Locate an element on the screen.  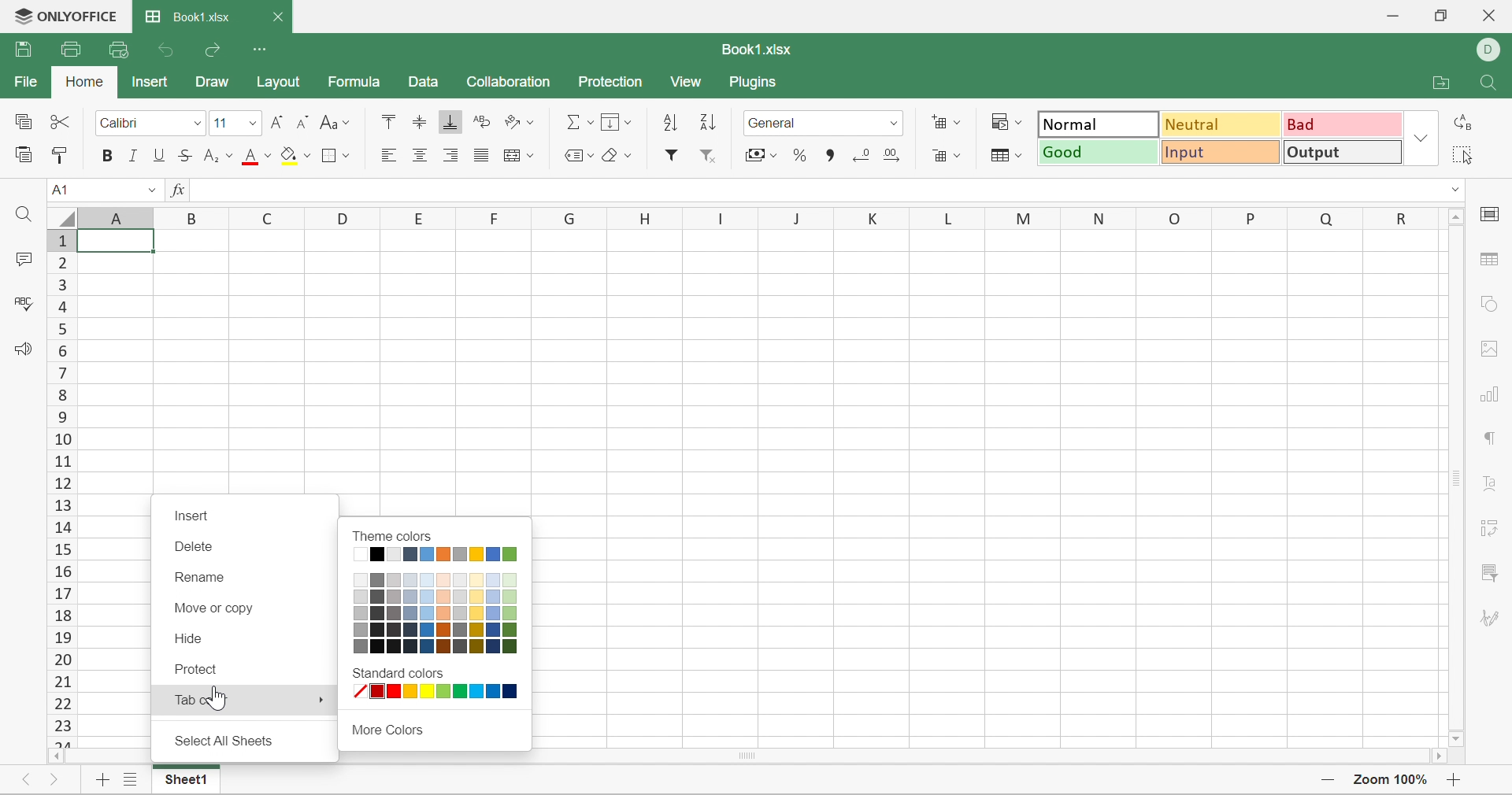
Scroll up is located at coordinates (1456, 216).